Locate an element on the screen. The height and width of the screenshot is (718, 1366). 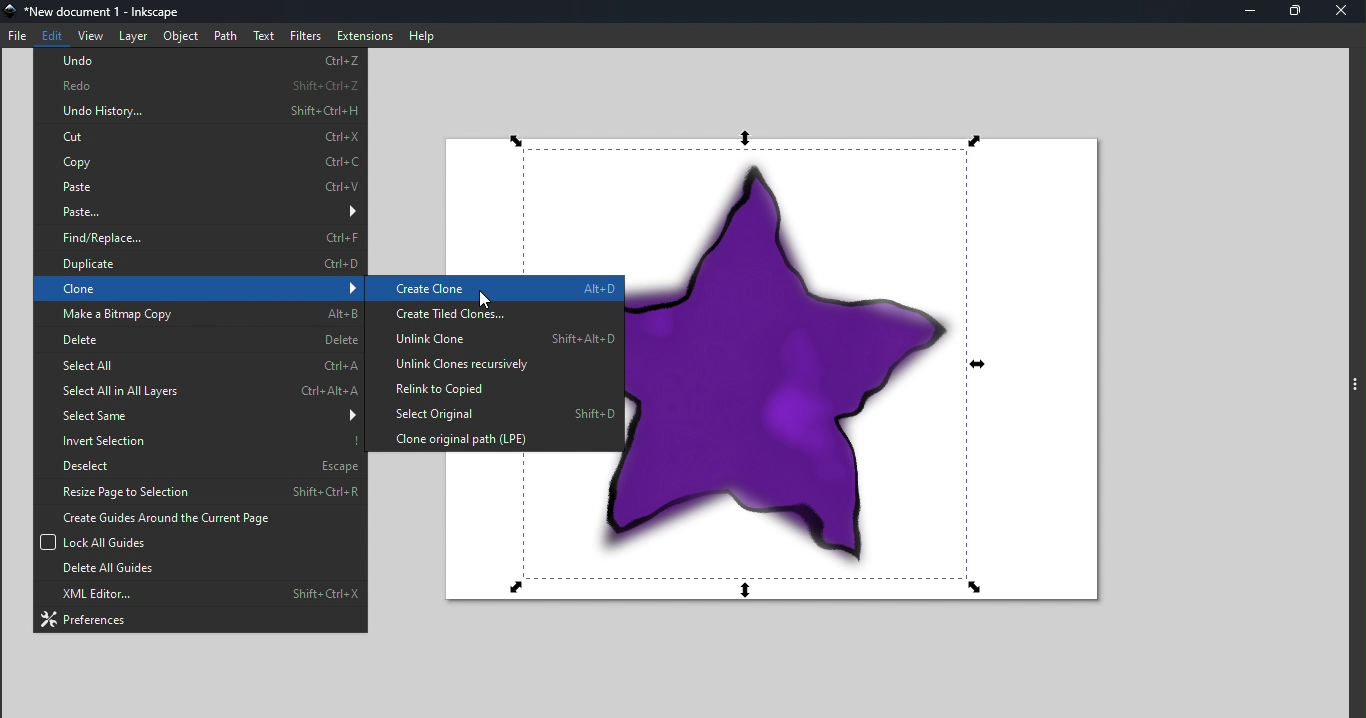
Extensions is located at coordinates (364, 36).